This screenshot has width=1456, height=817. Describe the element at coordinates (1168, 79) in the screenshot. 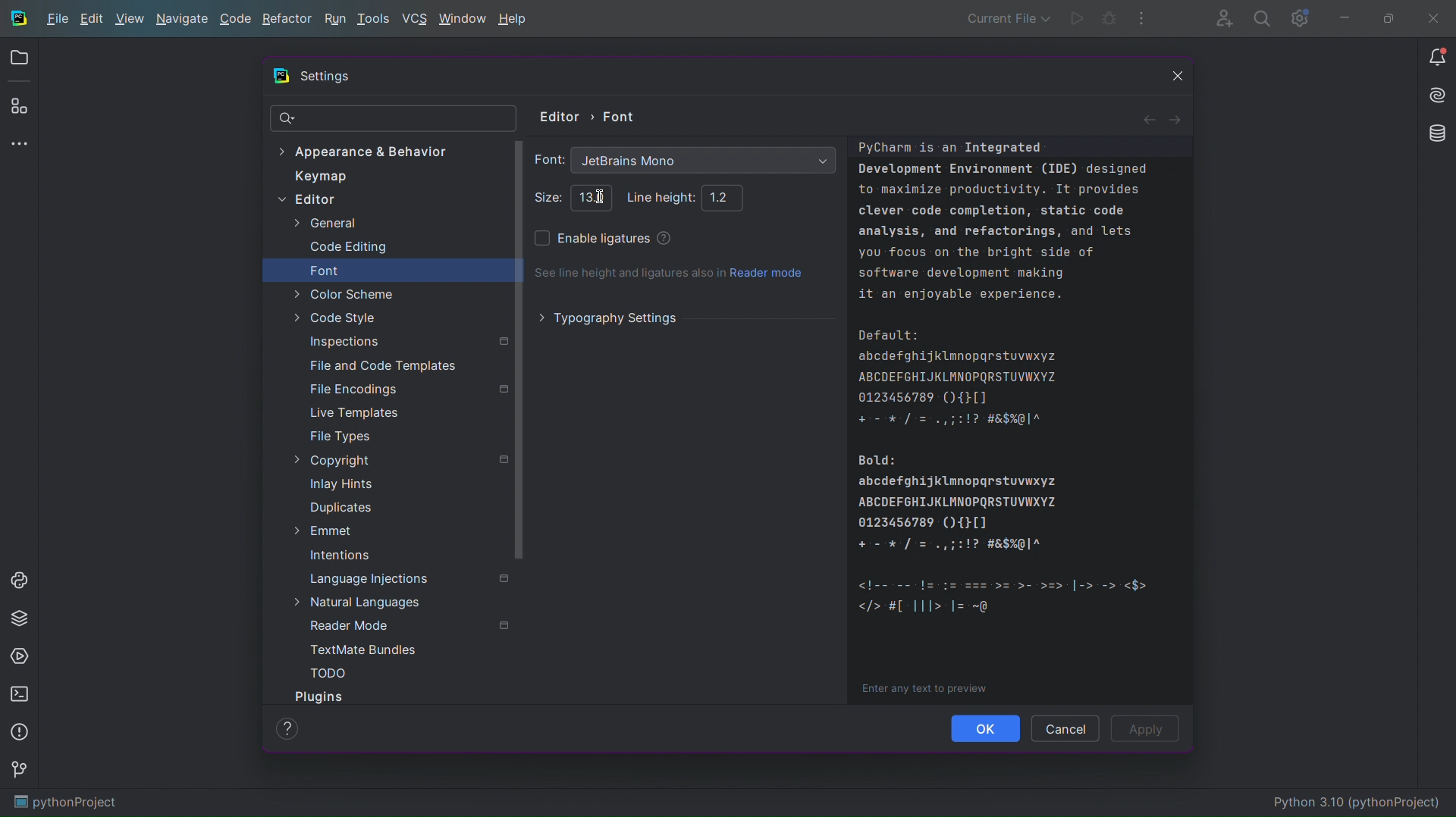

I see `Close` at that location.